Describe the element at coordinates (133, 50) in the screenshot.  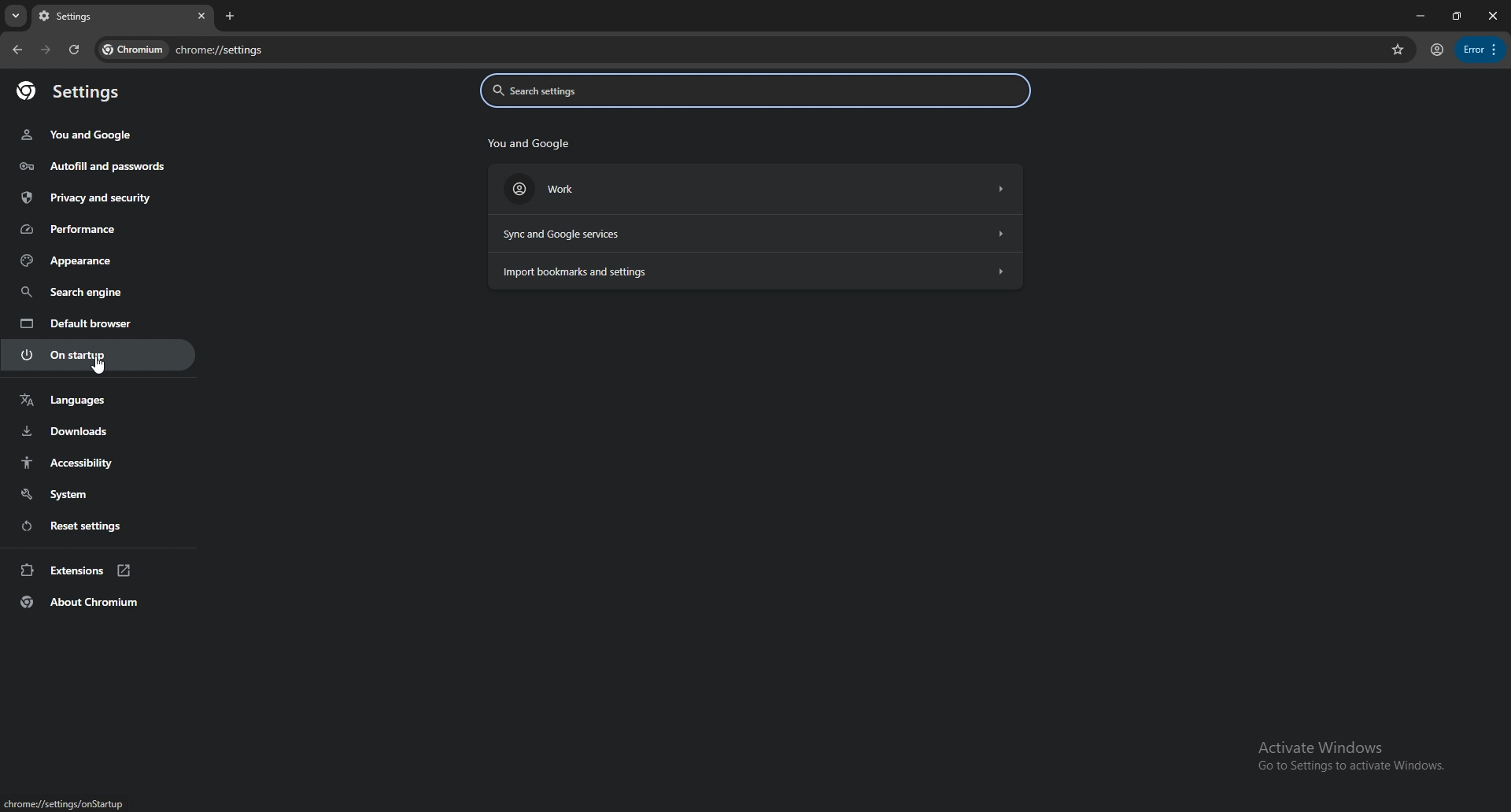
I see `chromium` at that location.